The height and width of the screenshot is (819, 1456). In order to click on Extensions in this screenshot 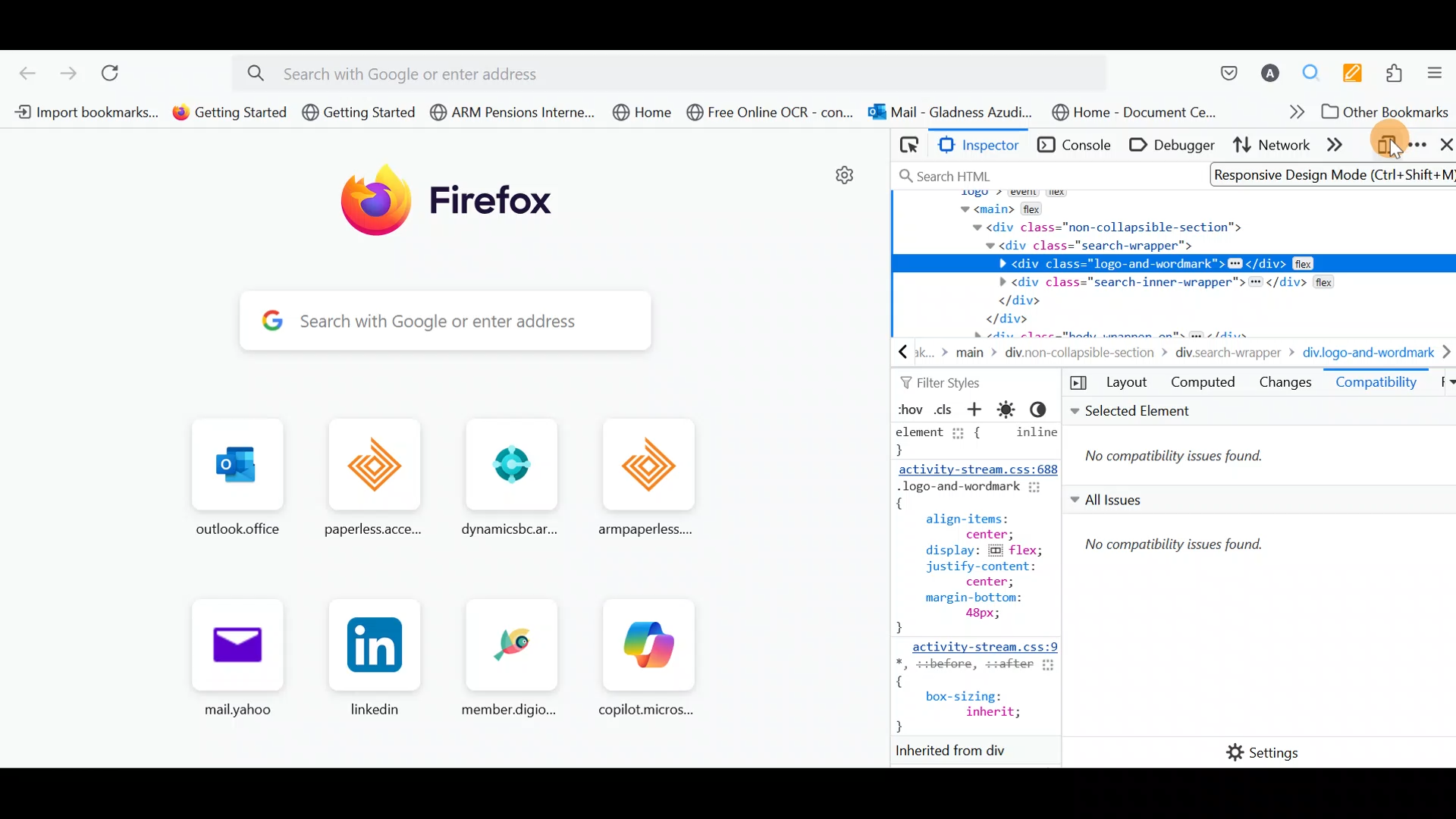, I will do `click(1398, 71)`.